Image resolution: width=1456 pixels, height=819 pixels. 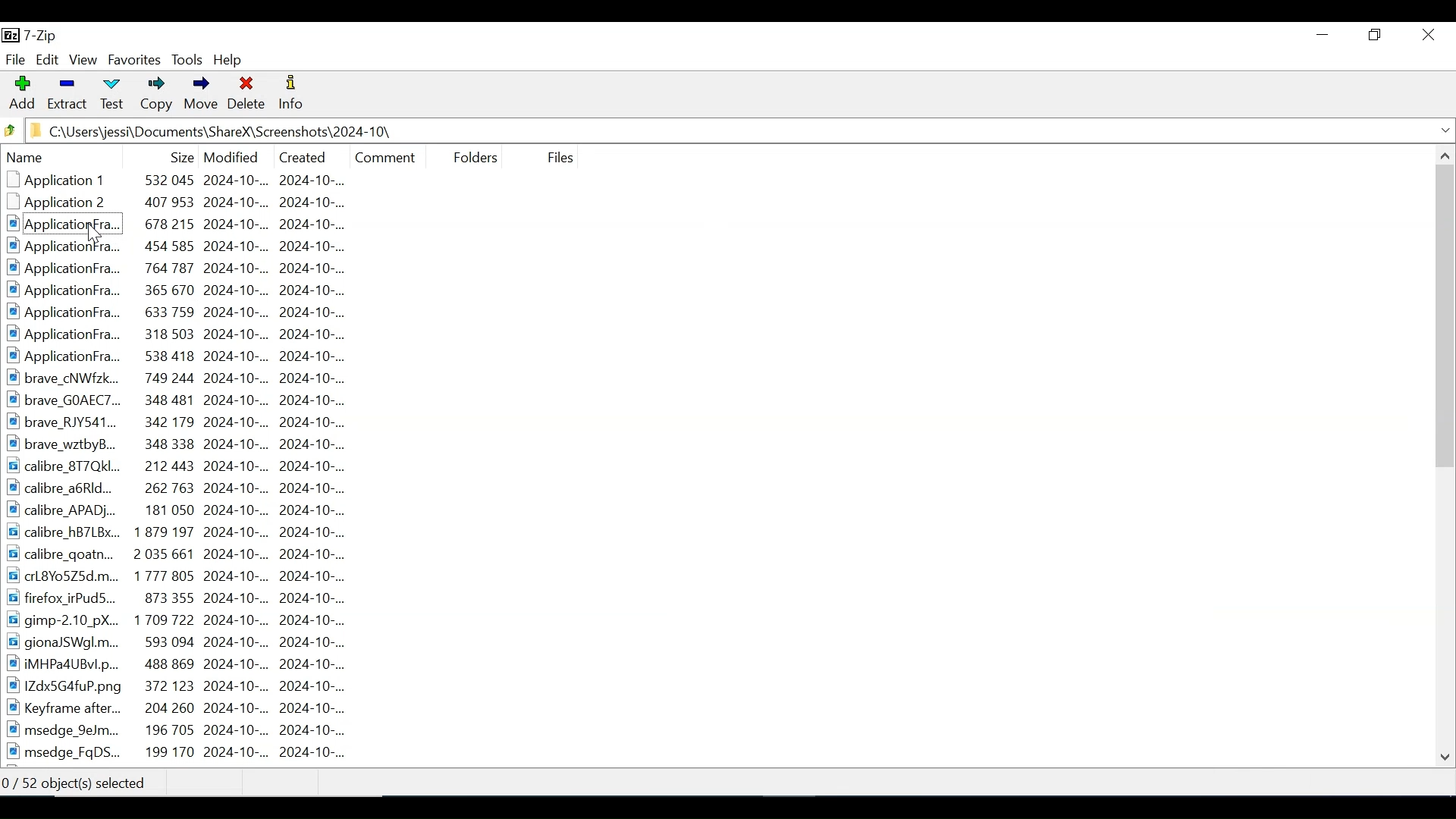 I want to click on Extract, so click(x=67, y=91).